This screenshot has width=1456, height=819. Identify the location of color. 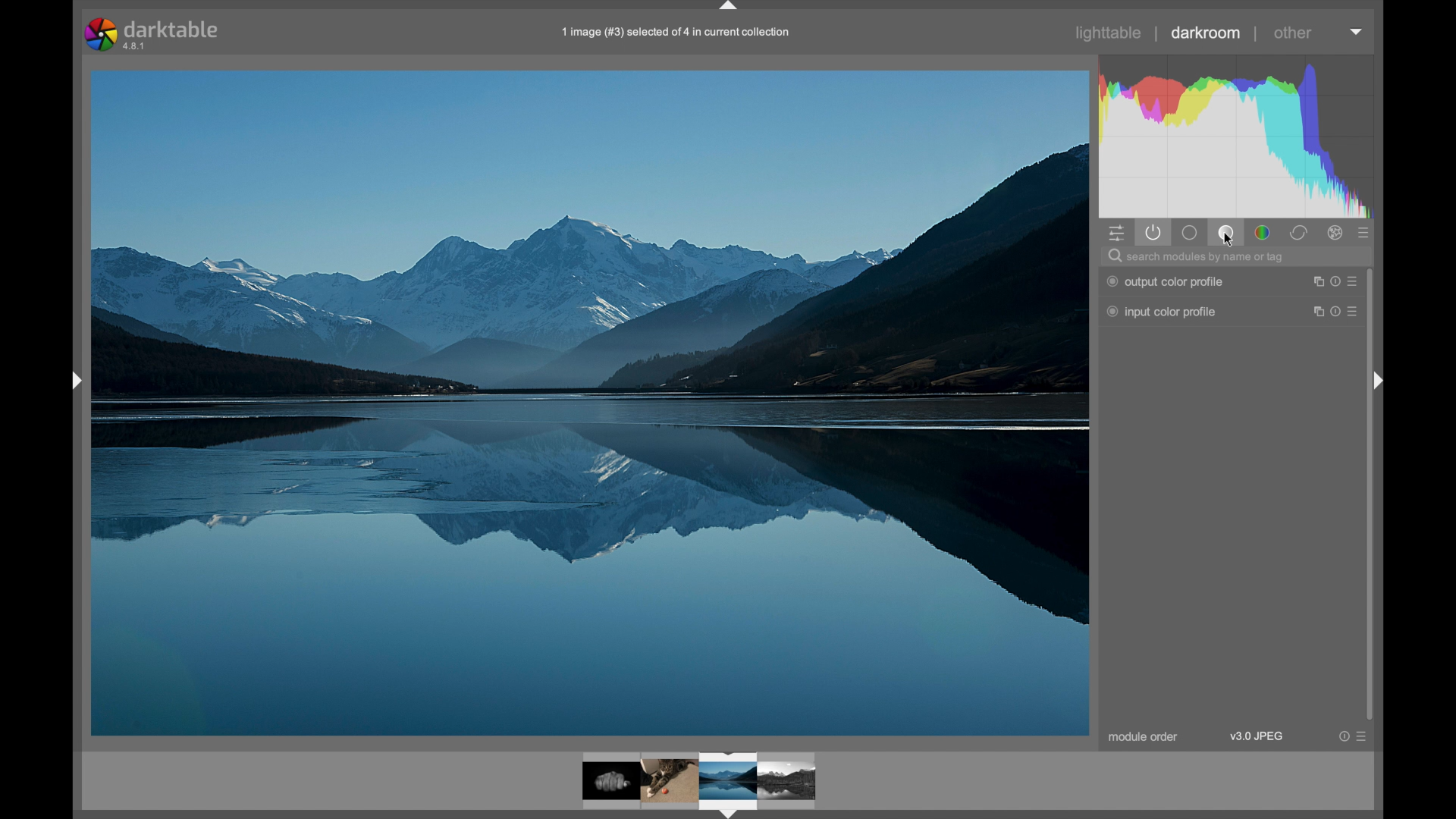
(1262, 233).